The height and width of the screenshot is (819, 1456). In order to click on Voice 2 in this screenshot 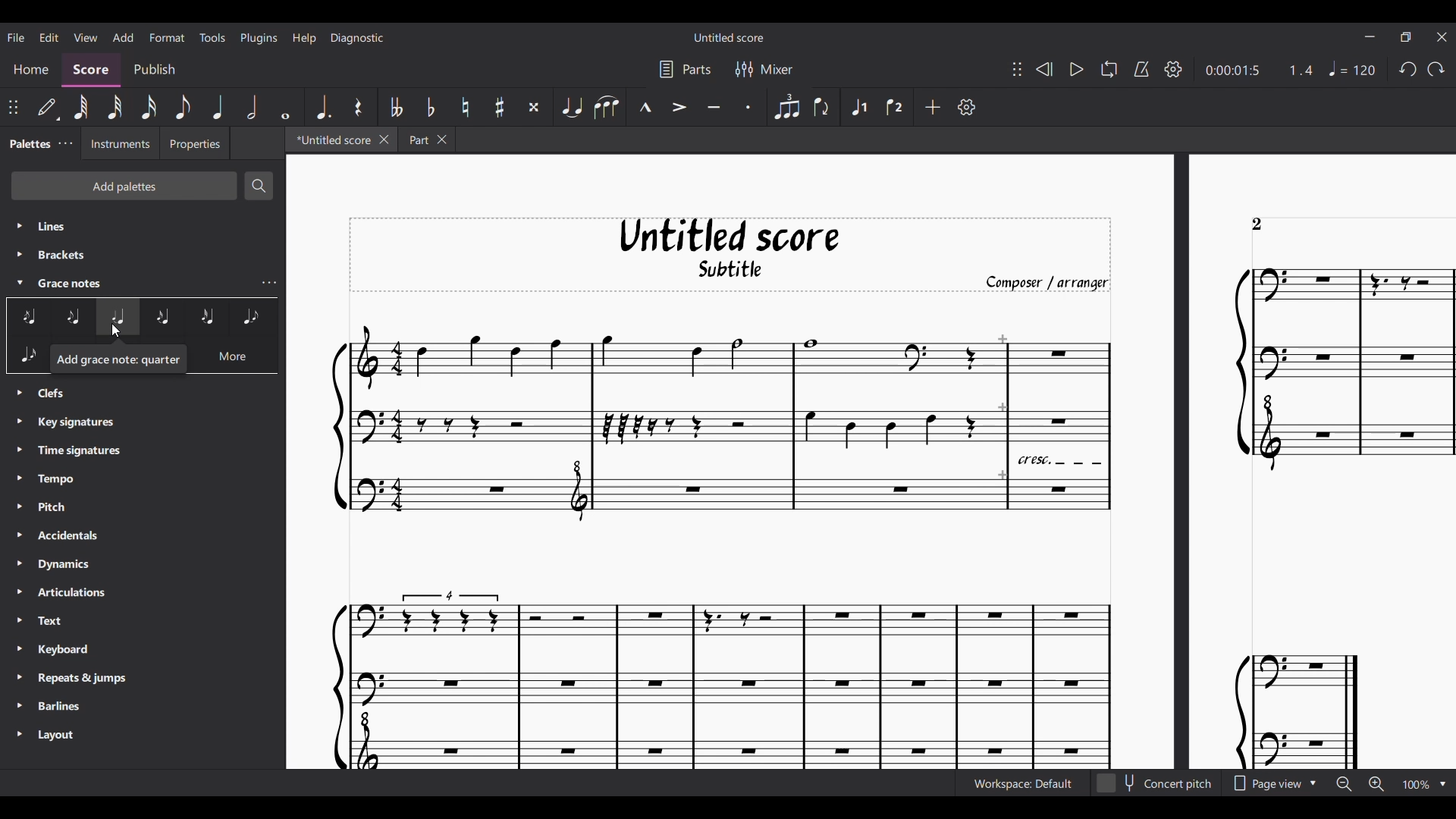, I will do `click(896, 107)`.